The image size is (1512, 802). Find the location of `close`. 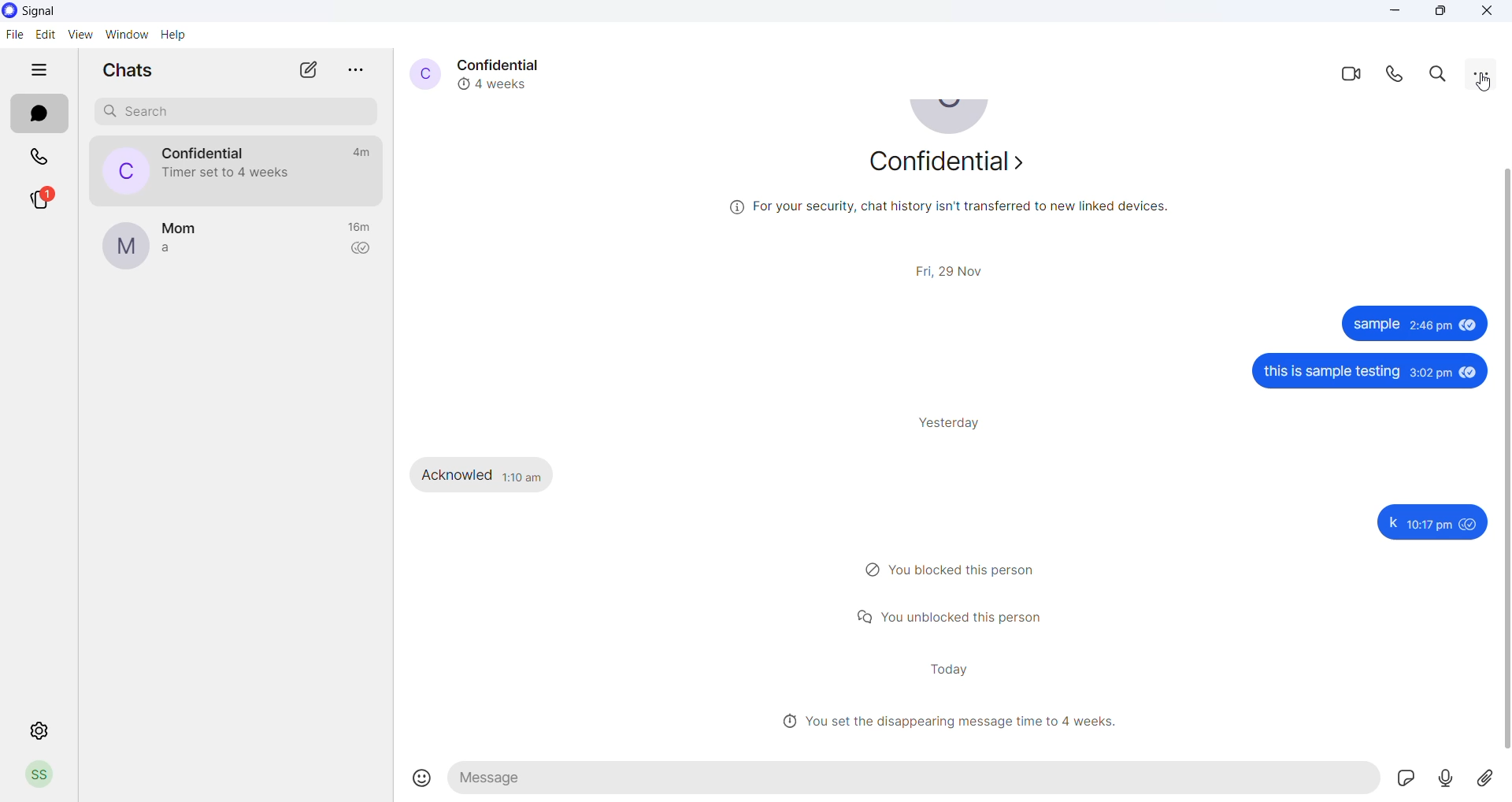

close is located at coordinates (1488, 12).